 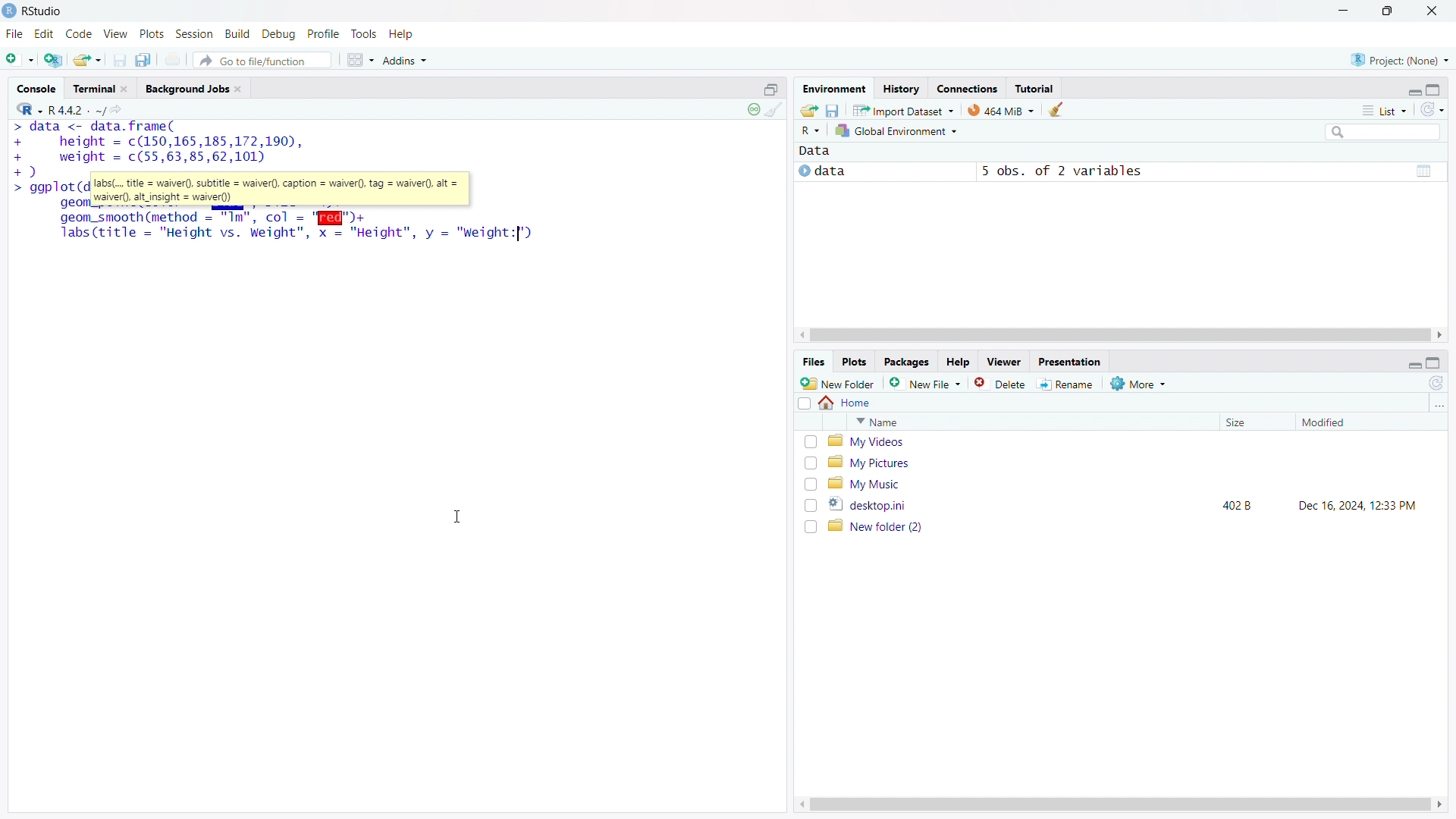 I want to click on minimize pane, so click(x=1414, y=89).